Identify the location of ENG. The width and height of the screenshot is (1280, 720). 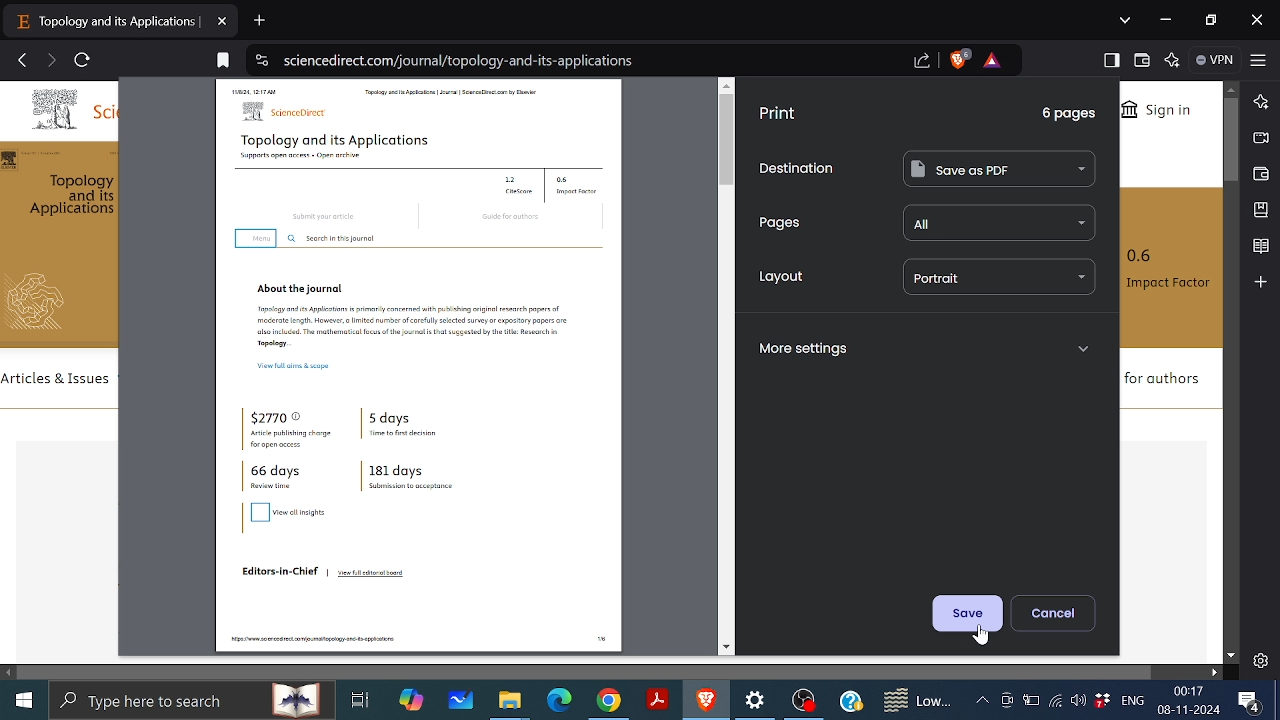
(1134, 700).